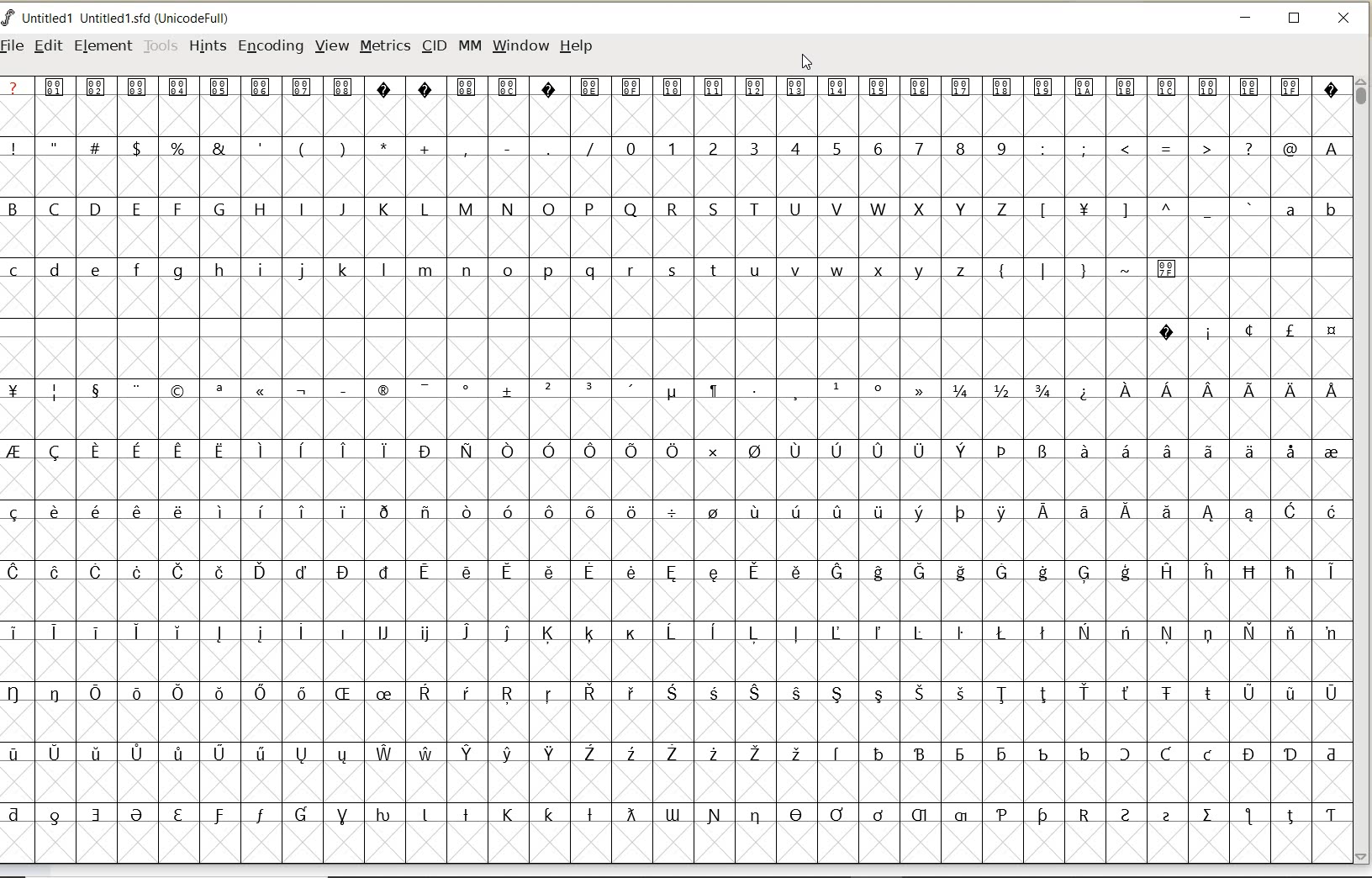 This screenshot has height=878, width=1372. I want to click on uppercase letters, so click(511, 209).